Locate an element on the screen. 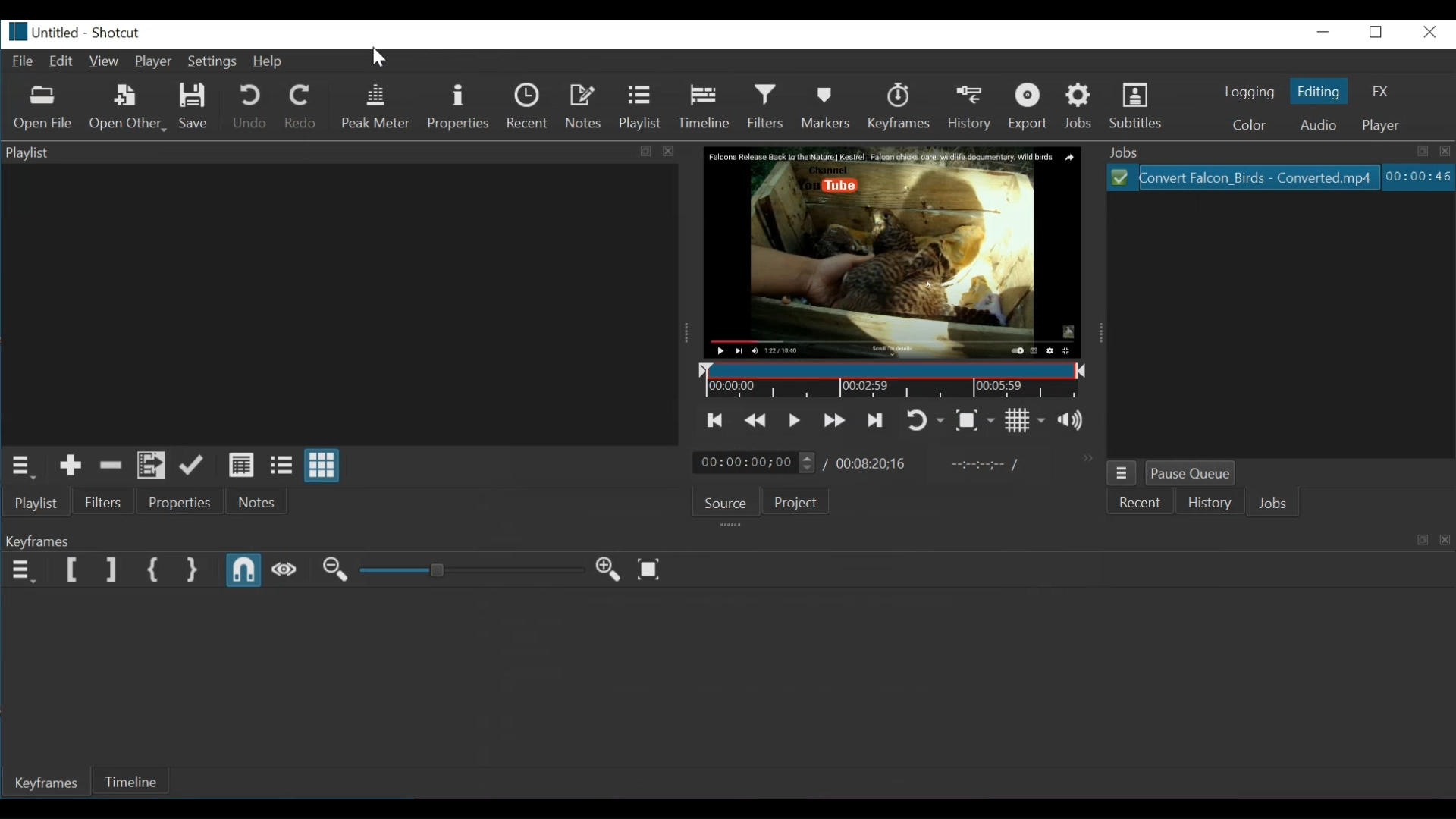 This screenshot has width=1456, height=819. Add to the playlist is located at coordinates (71, 466).